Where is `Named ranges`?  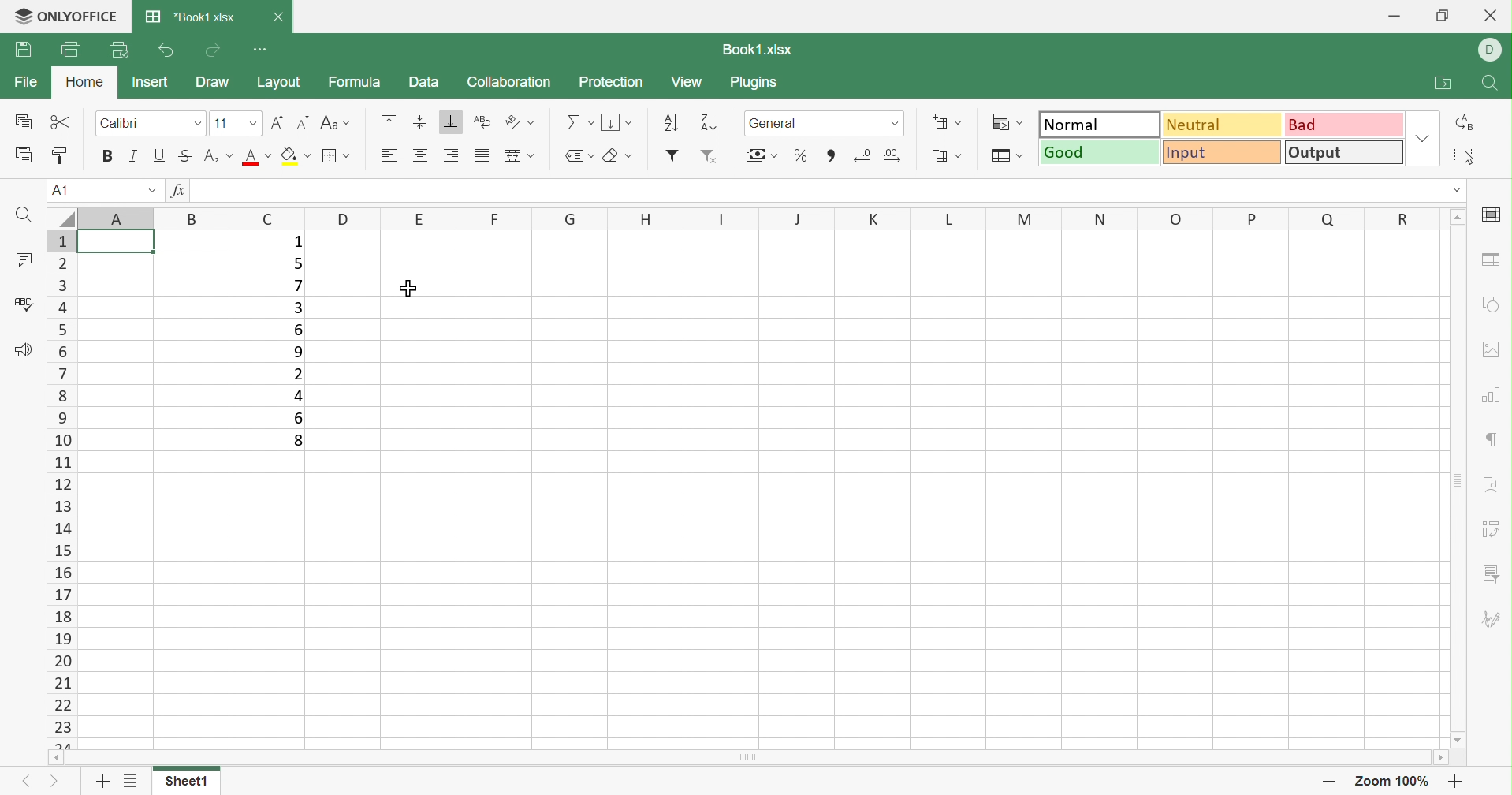
Named ranges is located at coordinates (579, 155).